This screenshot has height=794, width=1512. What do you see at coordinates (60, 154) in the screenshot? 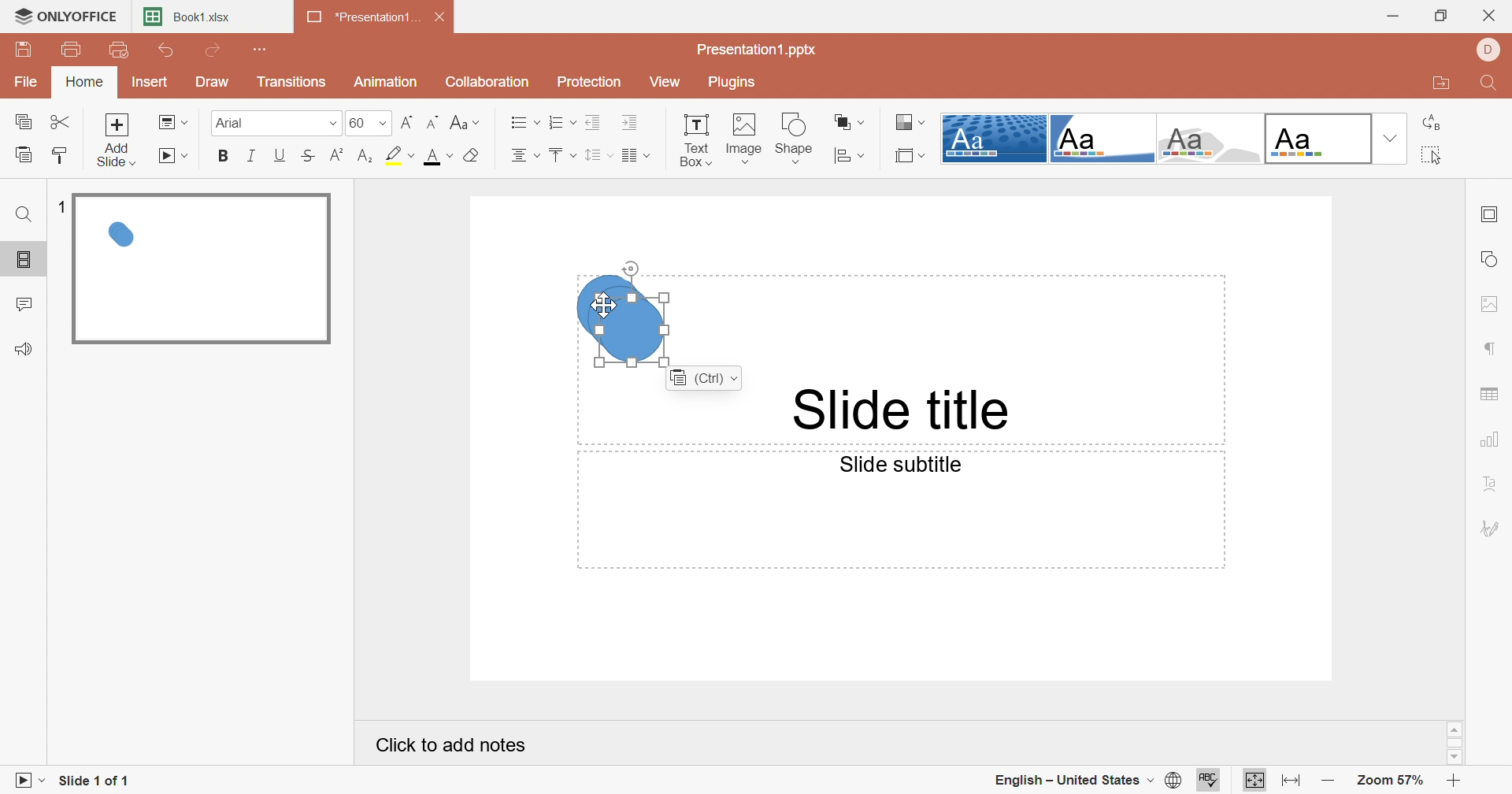
I see `Copy style` at bounding box center [60, 154].